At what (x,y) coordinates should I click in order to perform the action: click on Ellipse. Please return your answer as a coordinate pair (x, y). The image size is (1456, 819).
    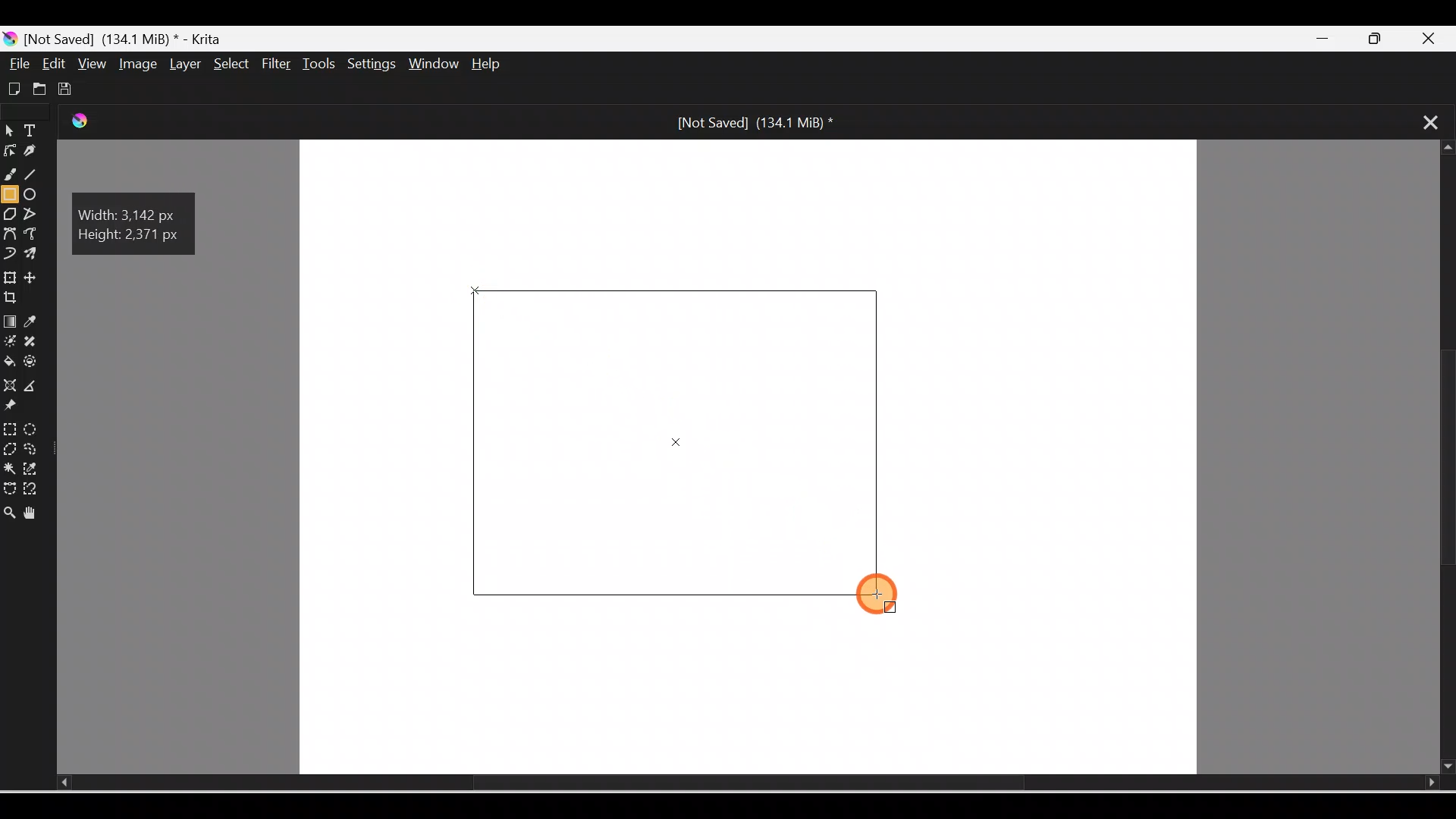
    Looking at the image, I should click on (35, 196).